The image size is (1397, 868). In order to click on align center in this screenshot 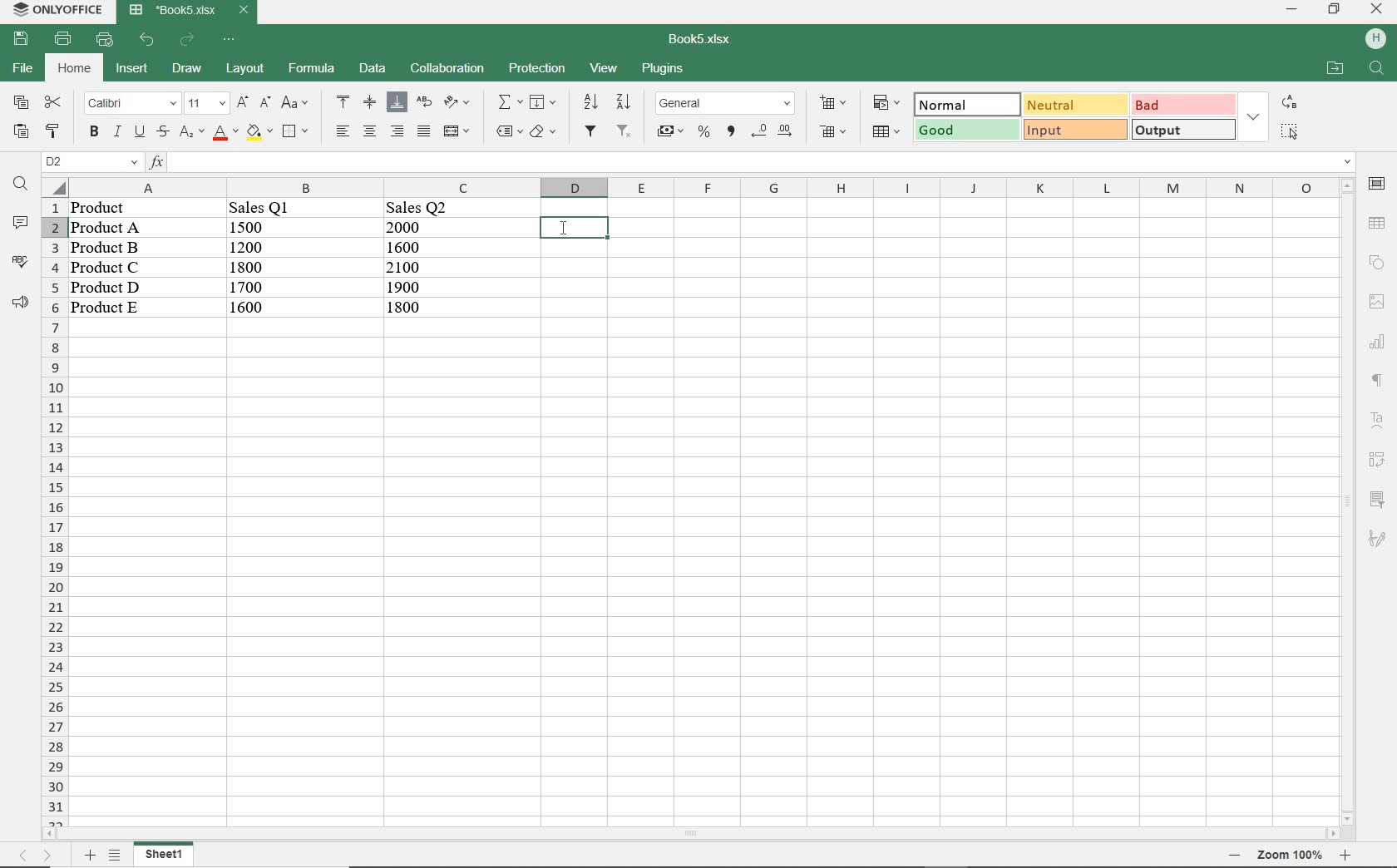, I will do `click(369, 131)`.